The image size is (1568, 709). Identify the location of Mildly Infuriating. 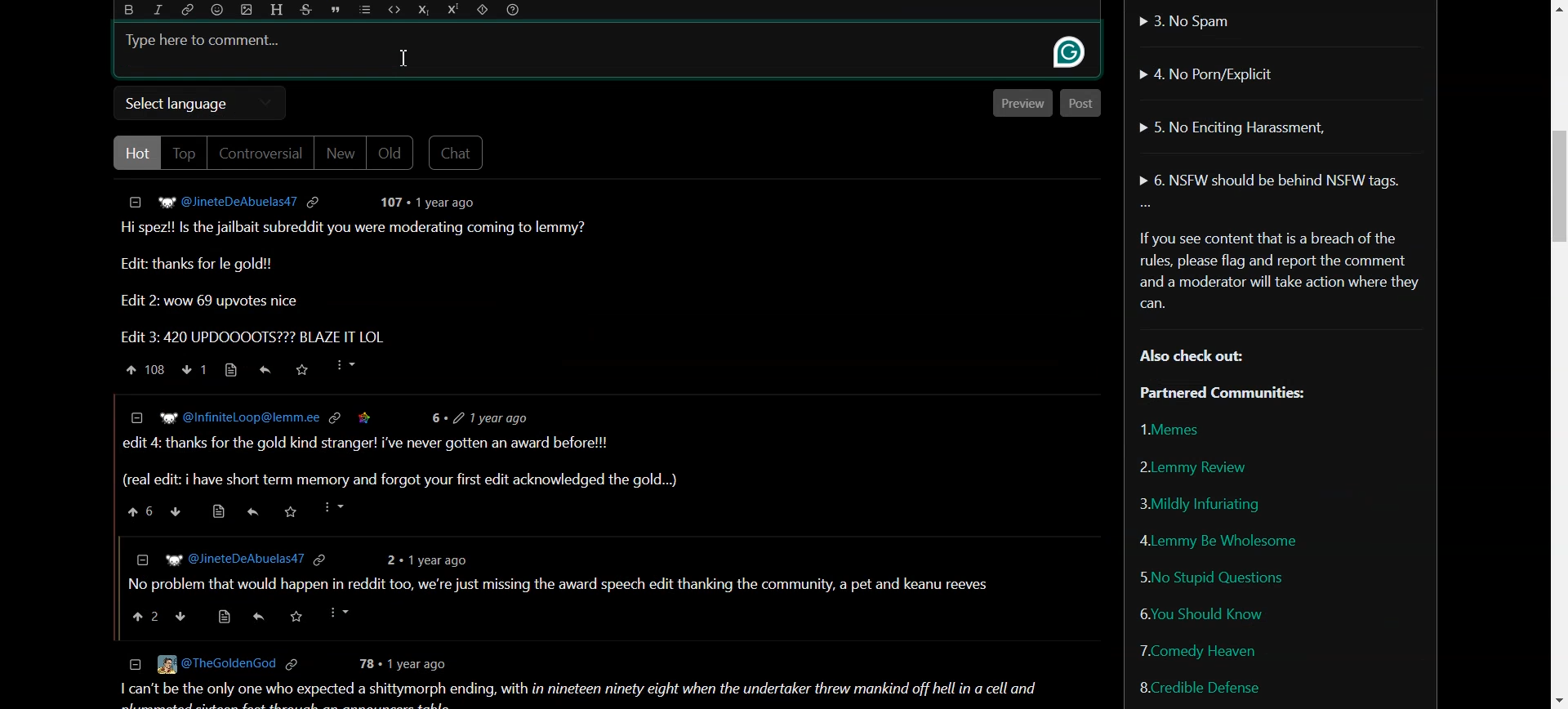
(1199, 504).